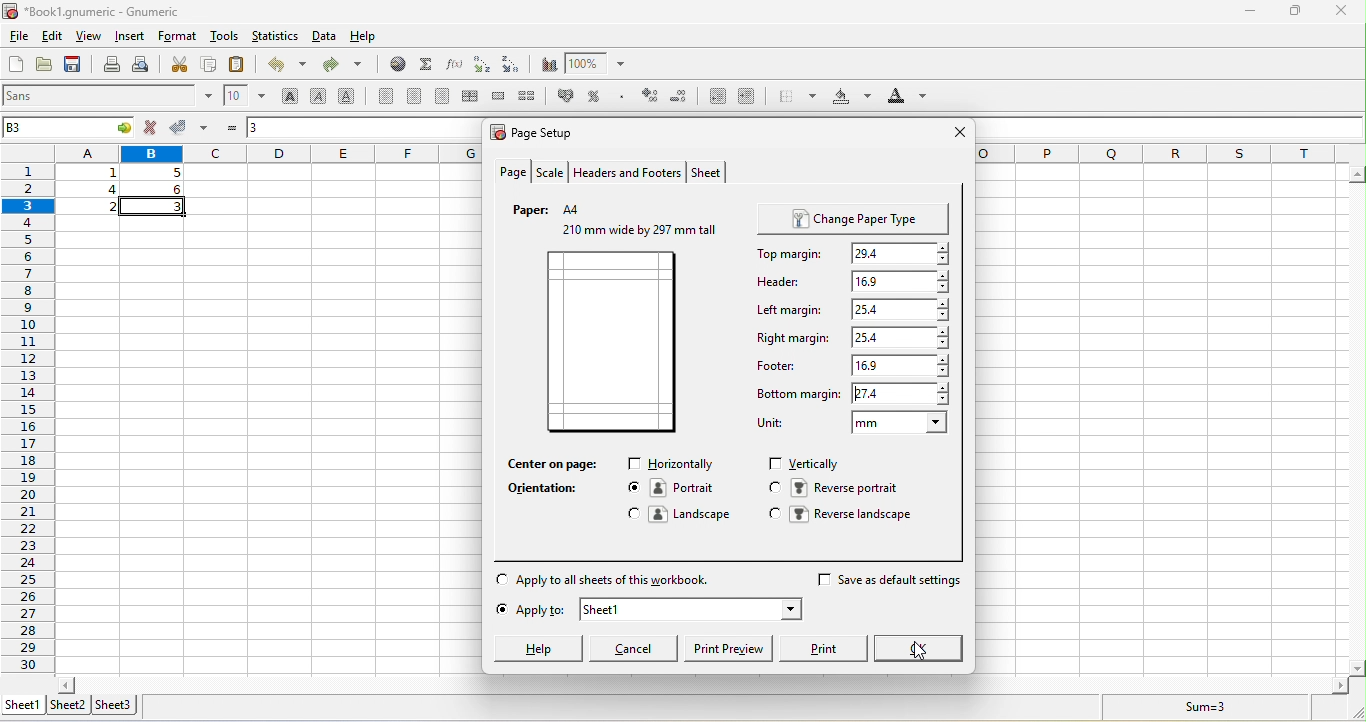  I want to click on portrait, so click(679, 489).